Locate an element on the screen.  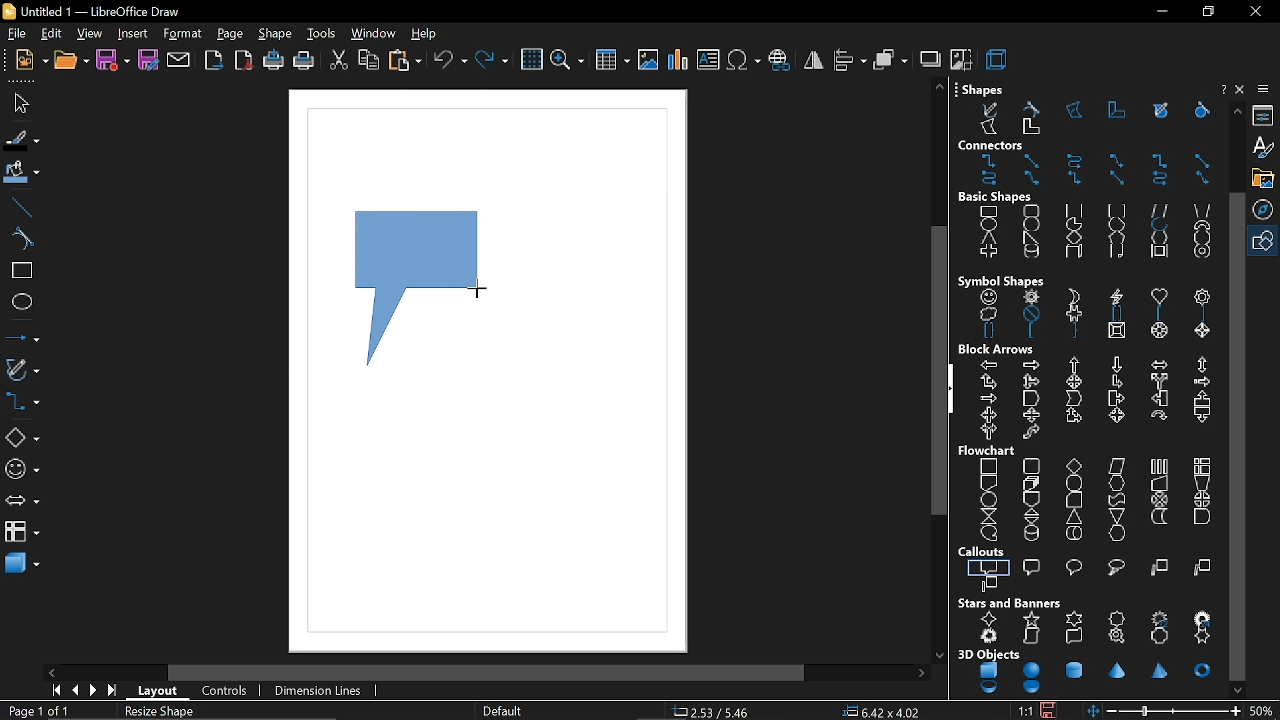
delay is located at coordinates (1201, 517).